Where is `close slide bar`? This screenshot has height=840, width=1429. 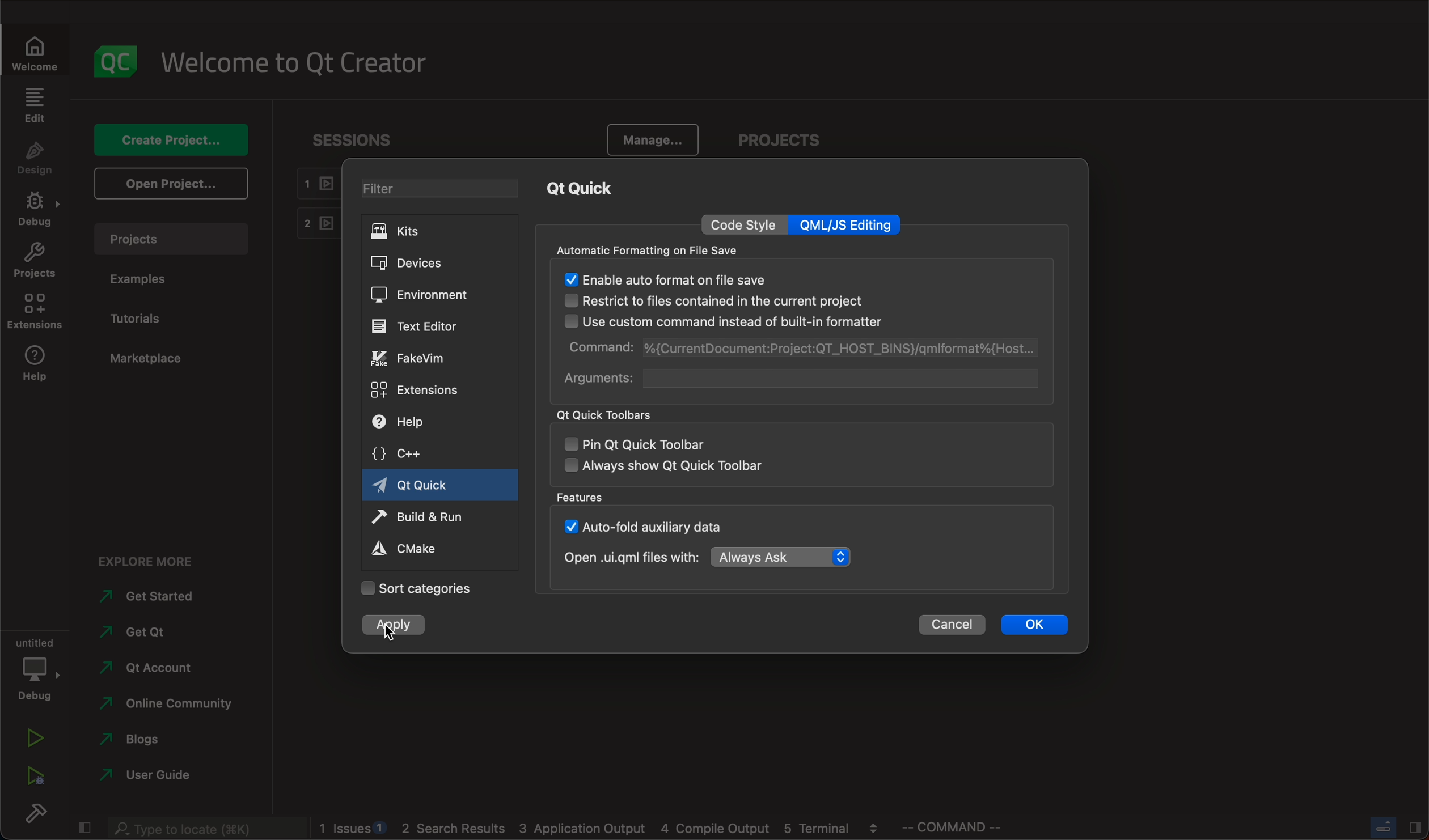
close slide bar is located at coordinates (84, 826).